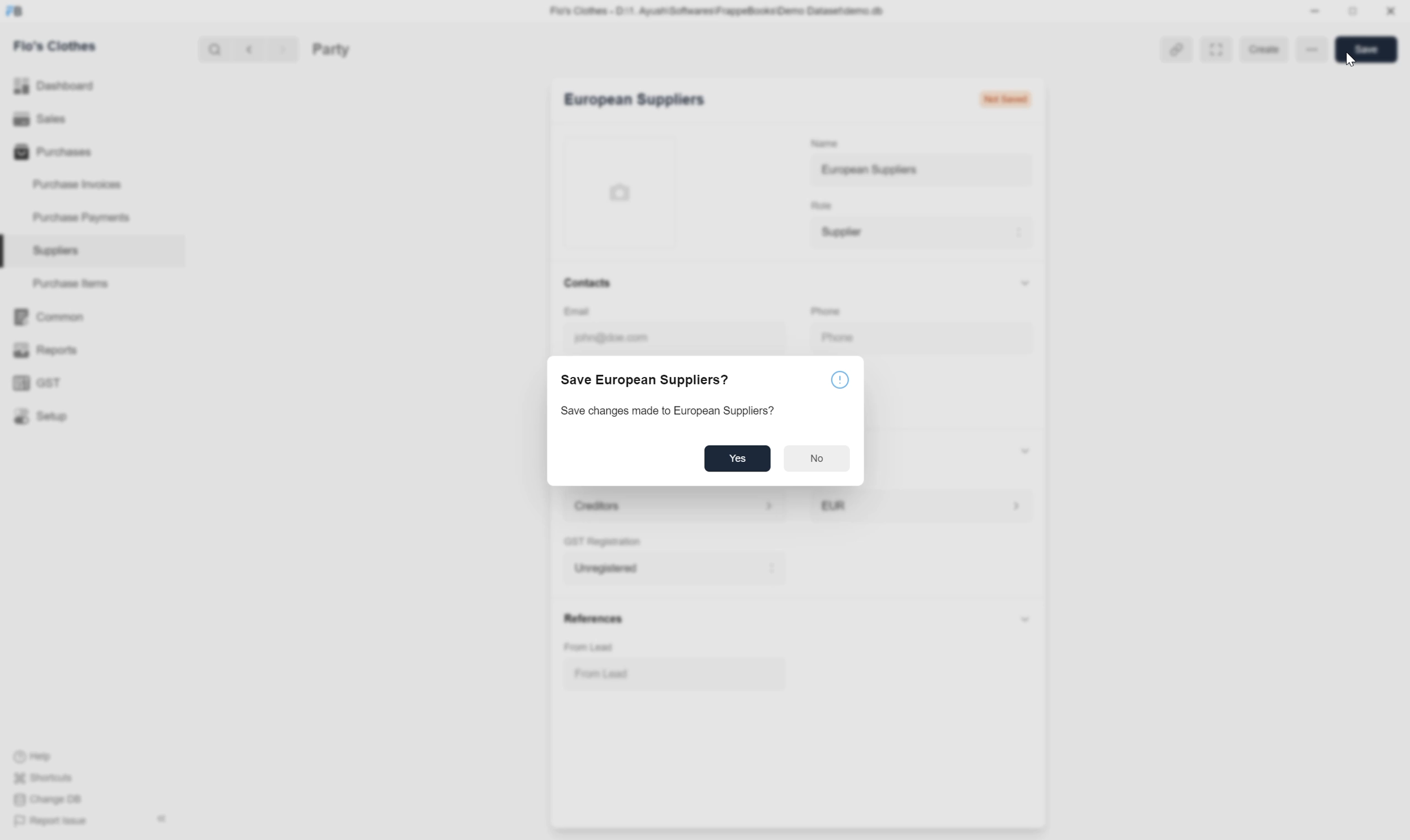 The image size is (1410, 840). I want to click on Creditors, so click(592, 504).